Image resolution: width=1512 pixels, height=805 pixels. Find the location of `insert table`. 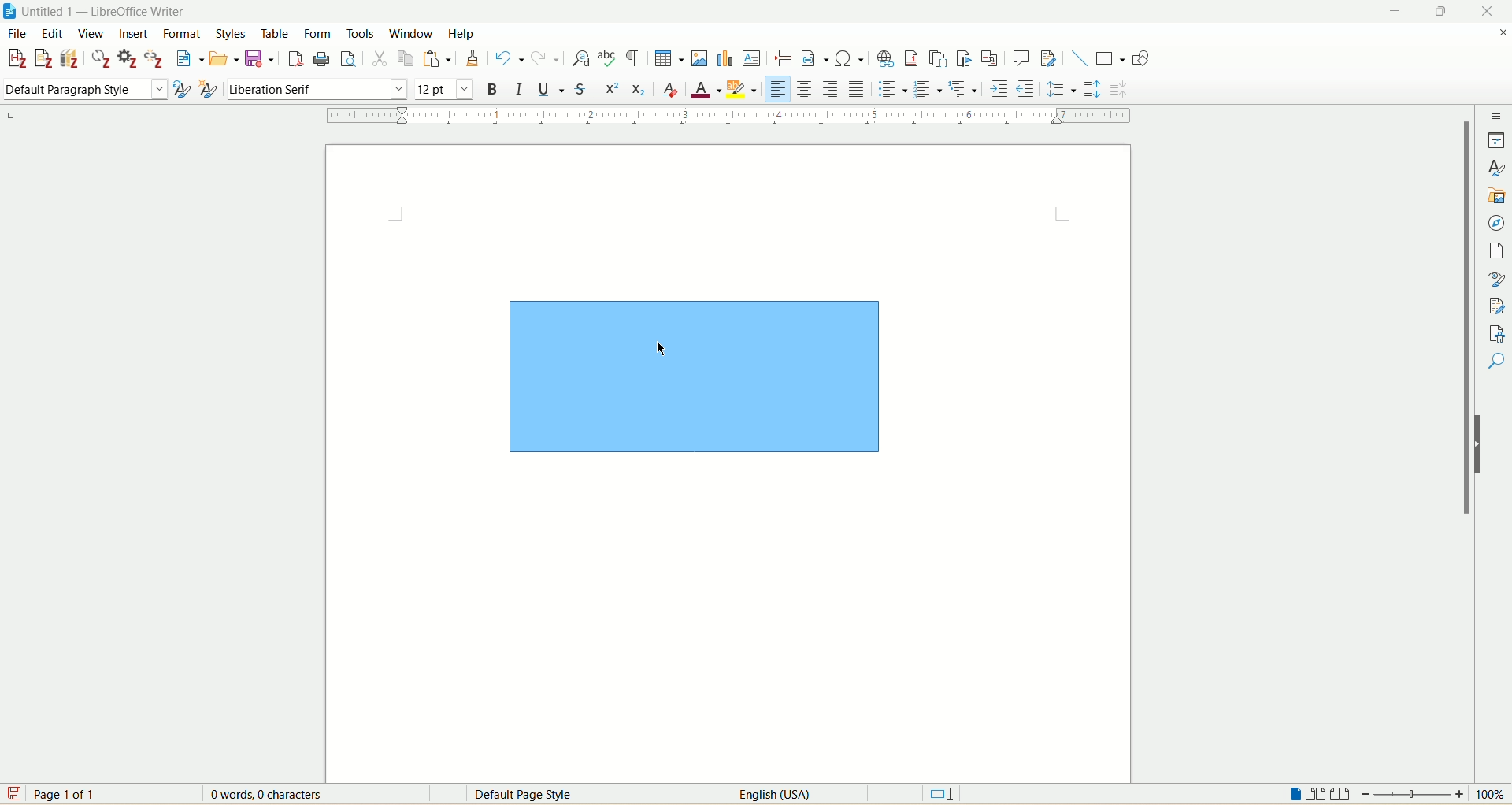

insert table is located at coordinates (670, 61).